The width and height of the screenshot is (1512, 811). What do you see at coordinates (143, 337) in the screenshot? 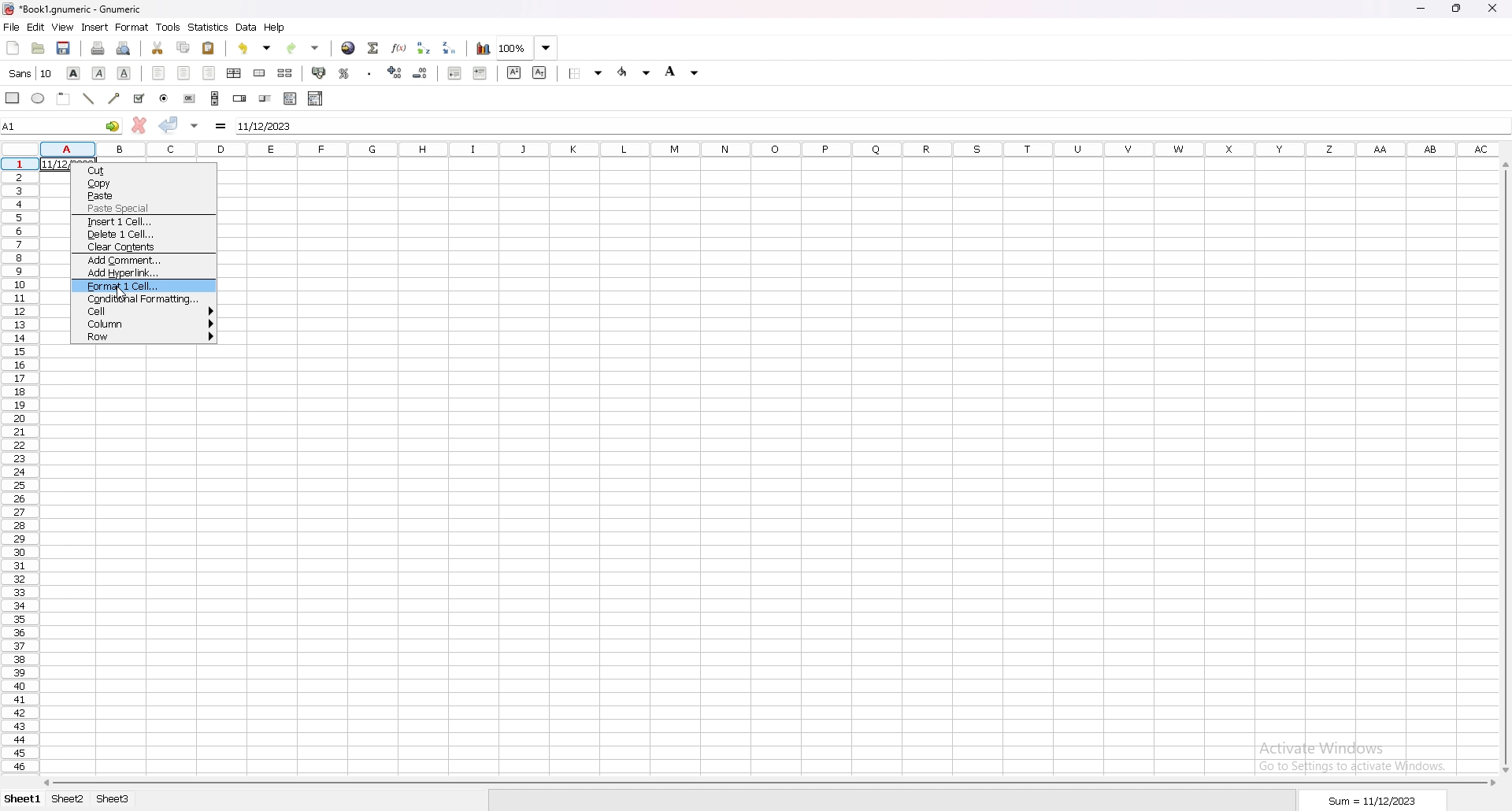
I see `row` at bounding box center [143, 337].